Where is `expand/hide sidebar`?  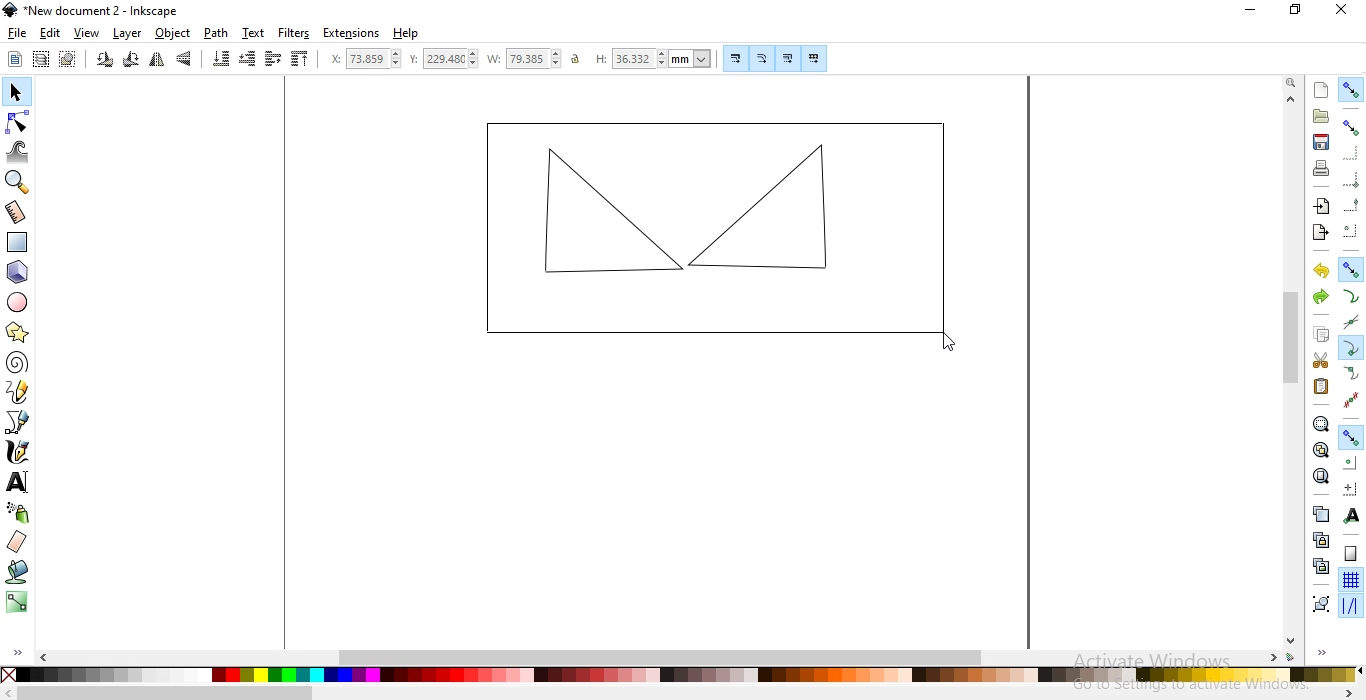
expand/hide sidebar is located at coordinates (1328, 654).